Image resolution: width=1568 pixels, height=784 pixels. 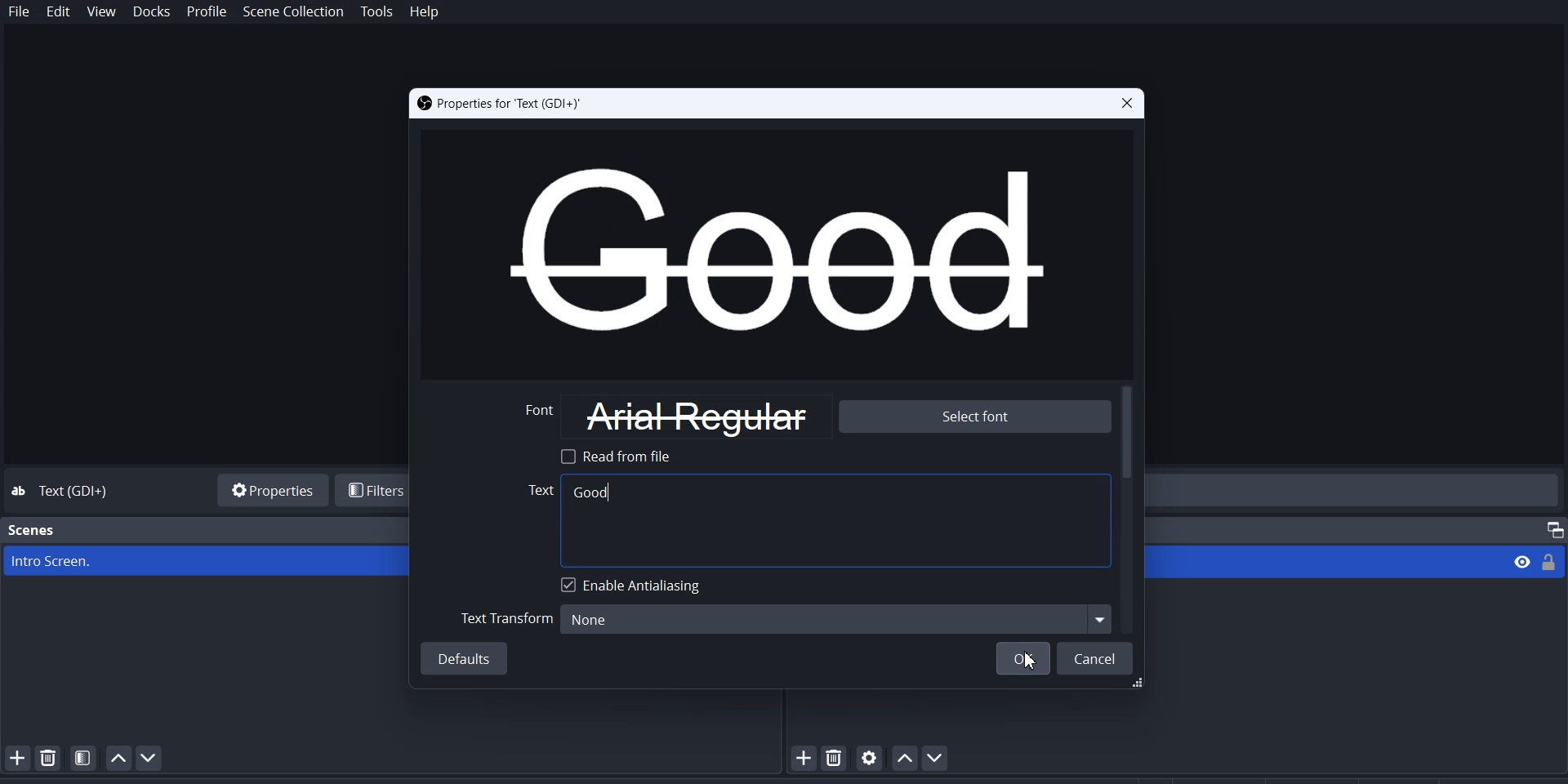 I want to click on Scene collection, so click(x=295, y=12).